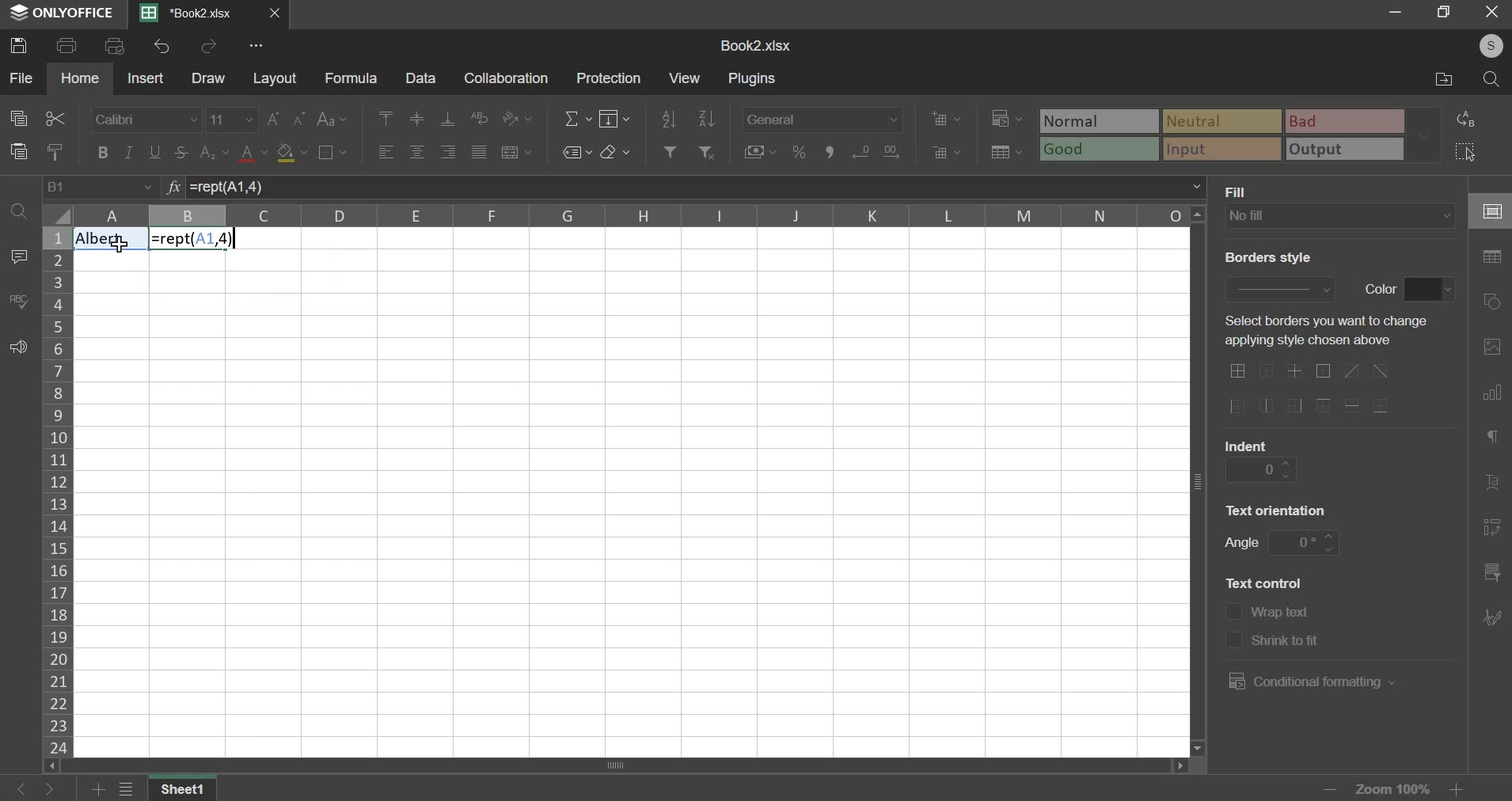 This screenshot has width=1512, height=801. What do you see at coordinates (1313, 390) in the screenshot?
I see `border options` at bounding box center [1313, 390].